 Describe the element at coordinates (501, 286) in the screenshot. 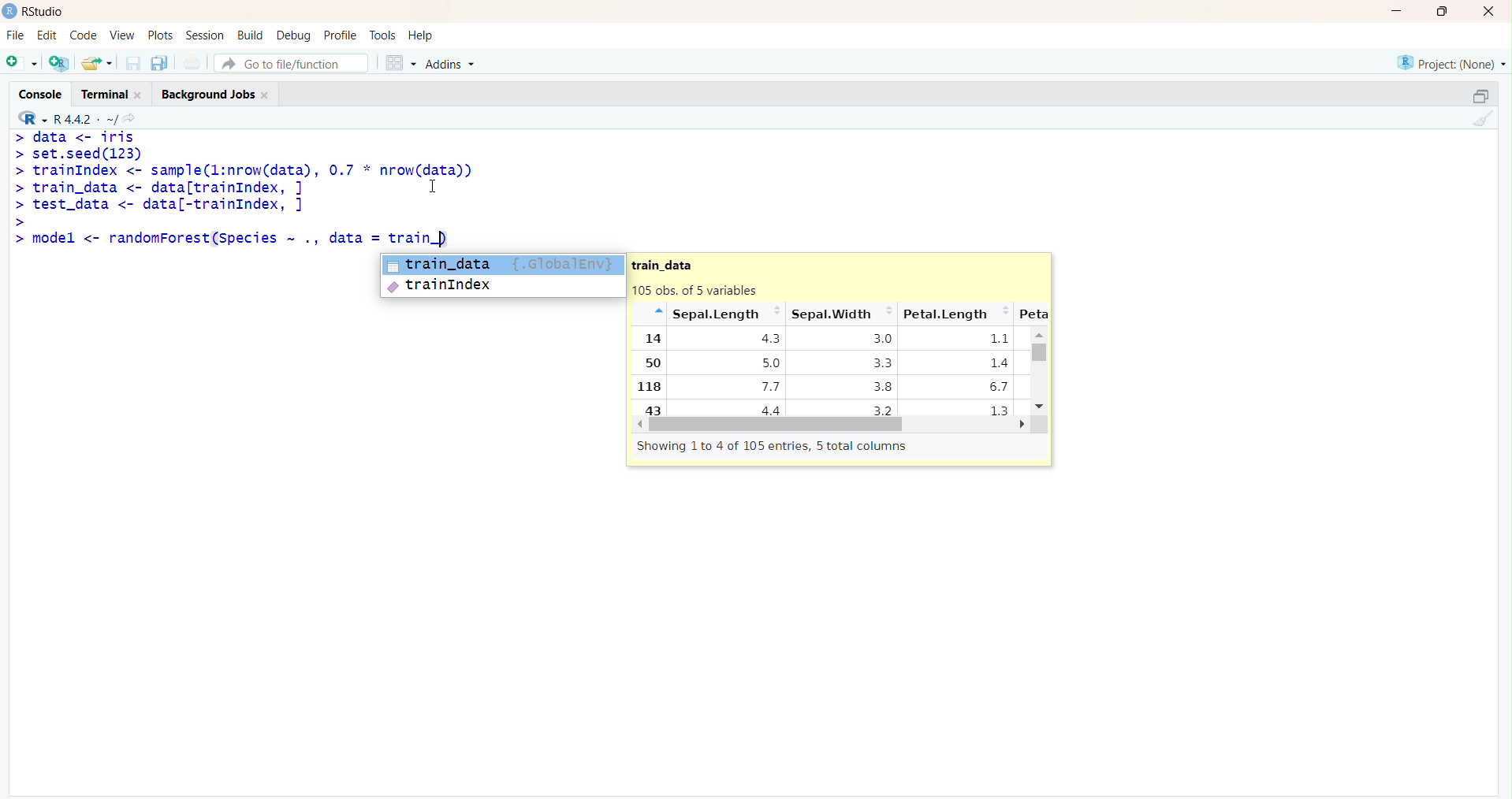

I see `trainIndex` at that location.